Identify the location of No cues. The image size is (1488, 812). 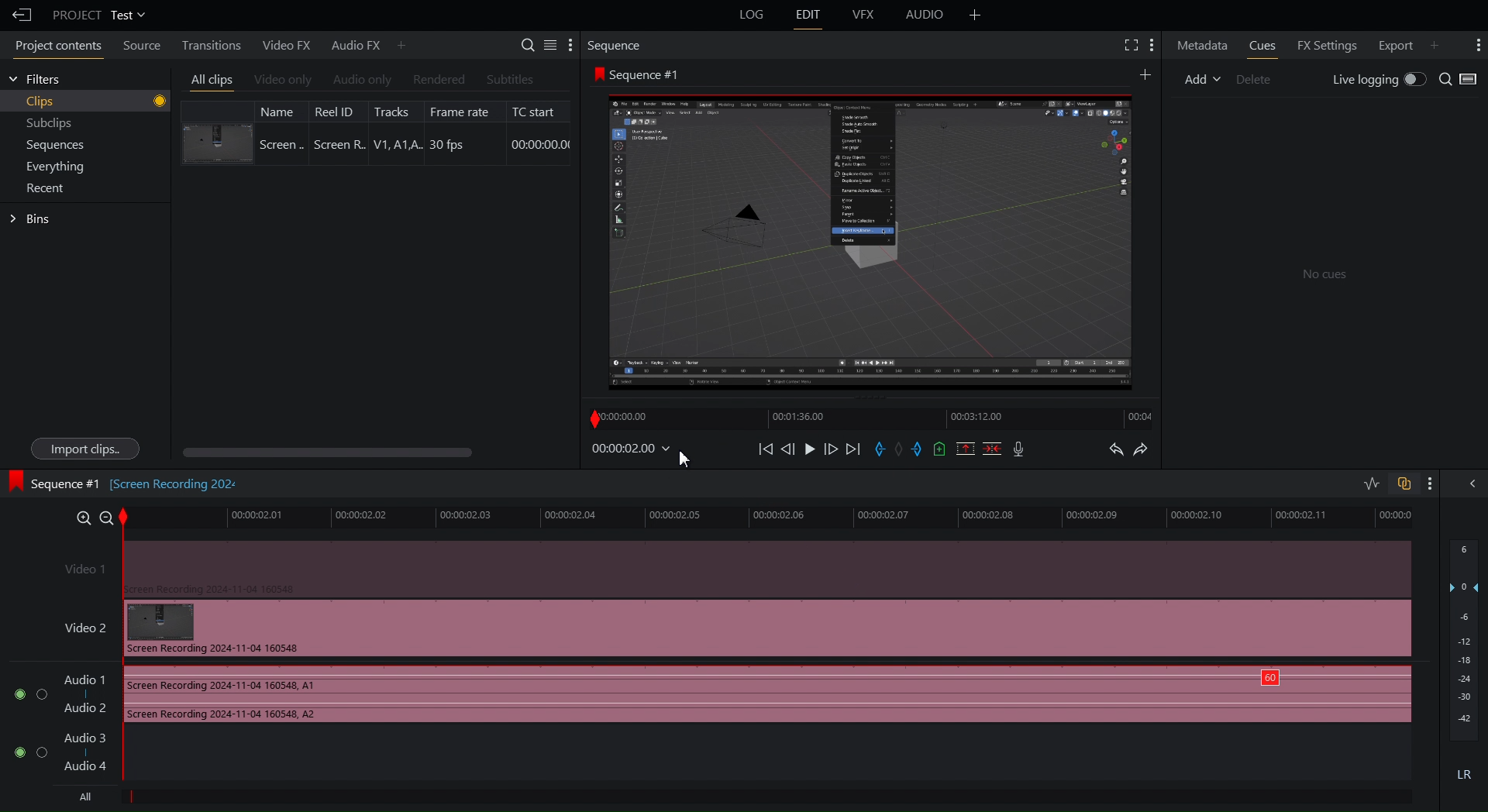
(1325, 276).